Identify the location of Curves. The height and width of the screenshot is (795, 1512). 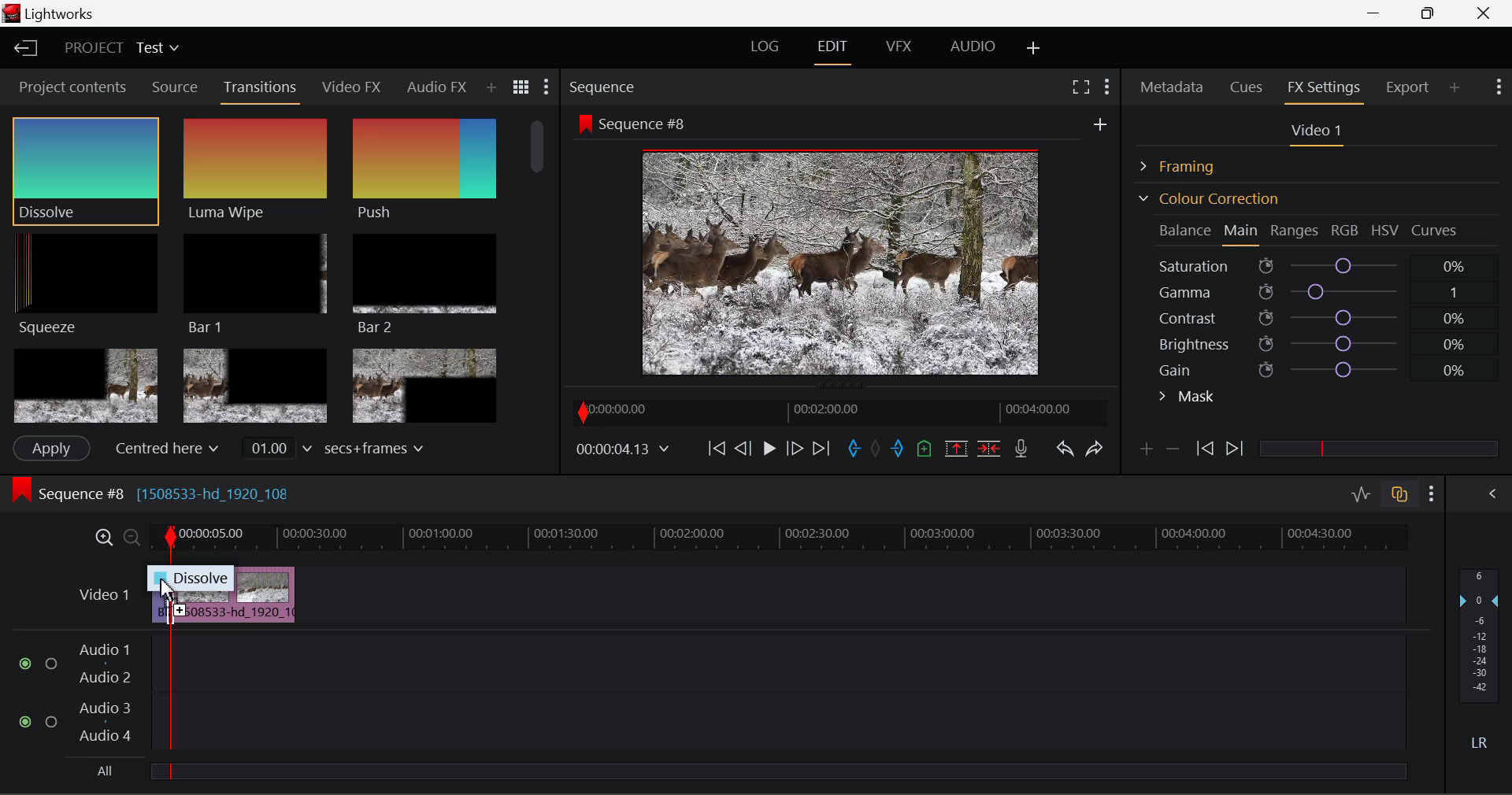
(1436, 230).